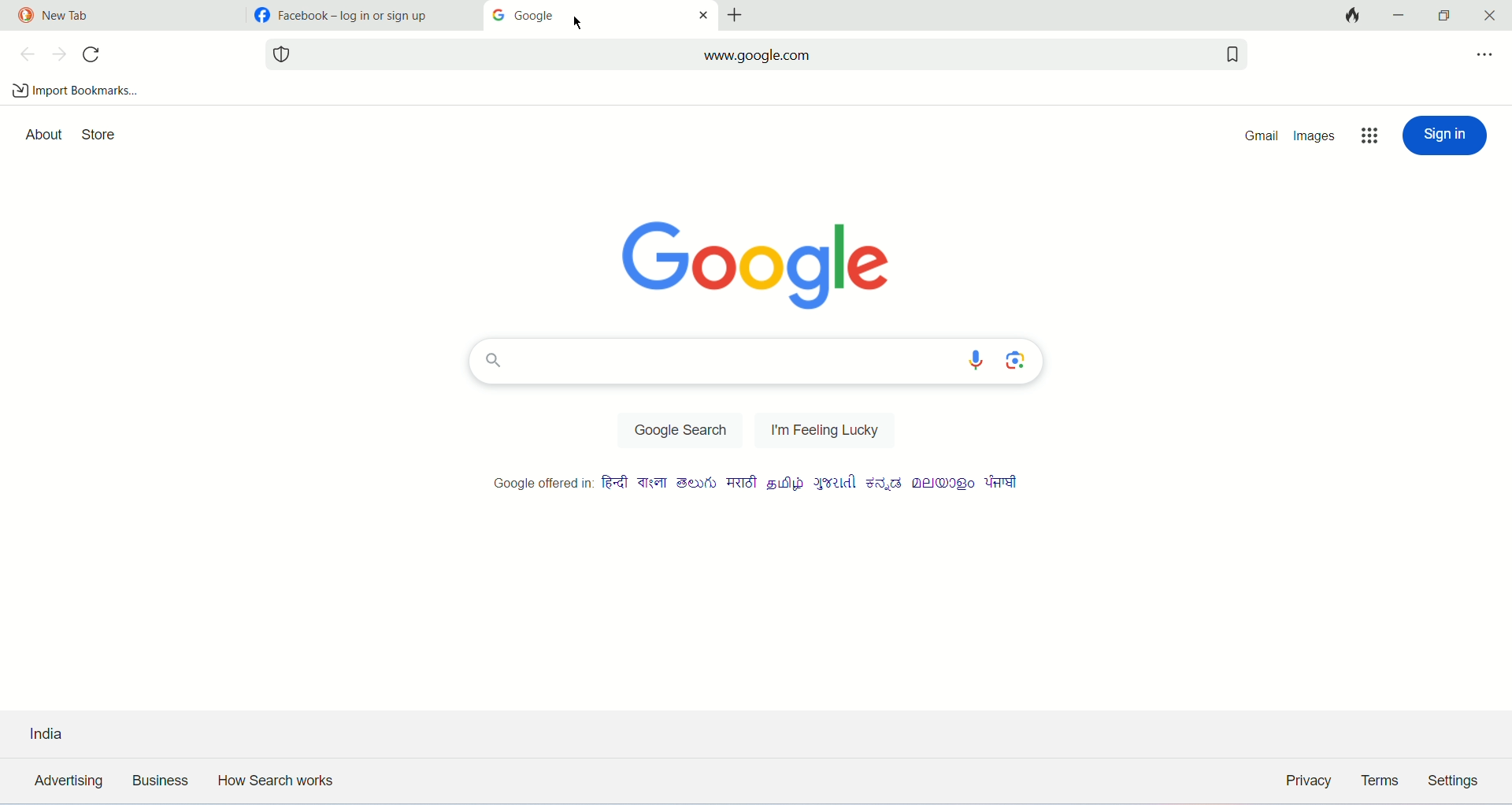 The height and width of the screenshot is (805, 1512). I want to click on Google offered in, so click(754, 484).